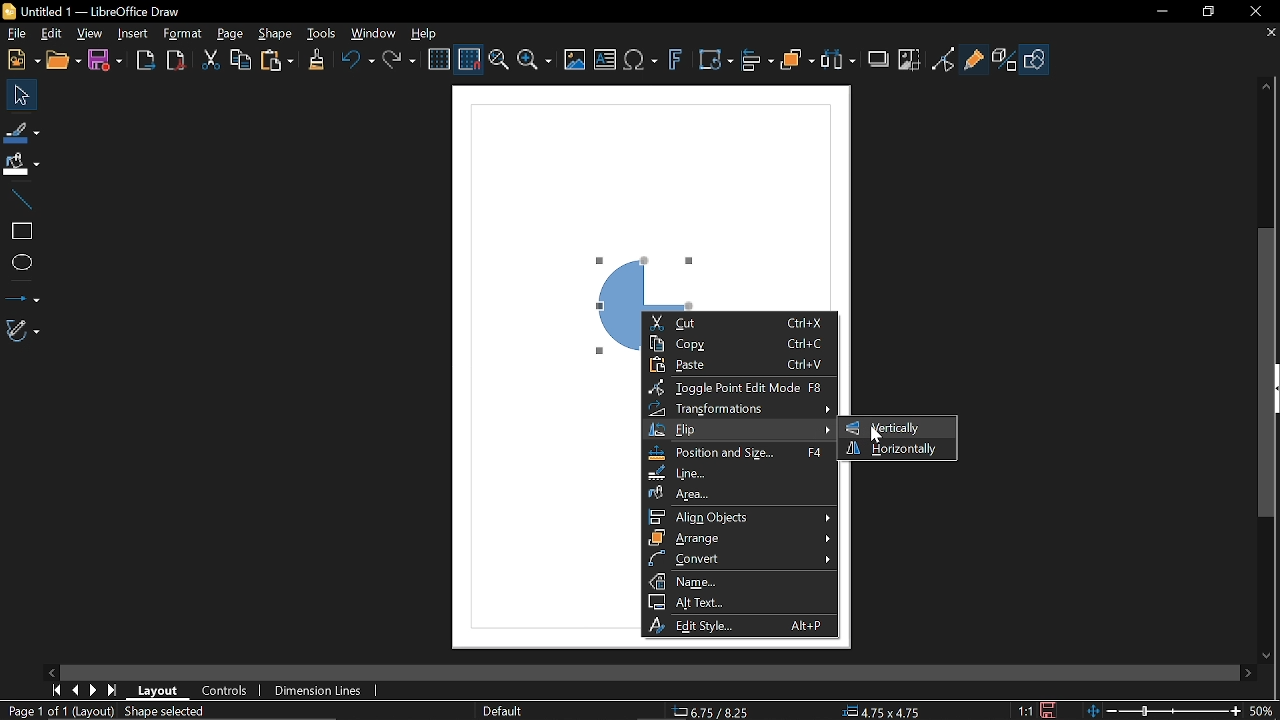 This screenshot has height=720, width=1280. What do you see at coordinates (738, 602) in the screenshot?
I see `Alt text` at bounding box center [738, 602].